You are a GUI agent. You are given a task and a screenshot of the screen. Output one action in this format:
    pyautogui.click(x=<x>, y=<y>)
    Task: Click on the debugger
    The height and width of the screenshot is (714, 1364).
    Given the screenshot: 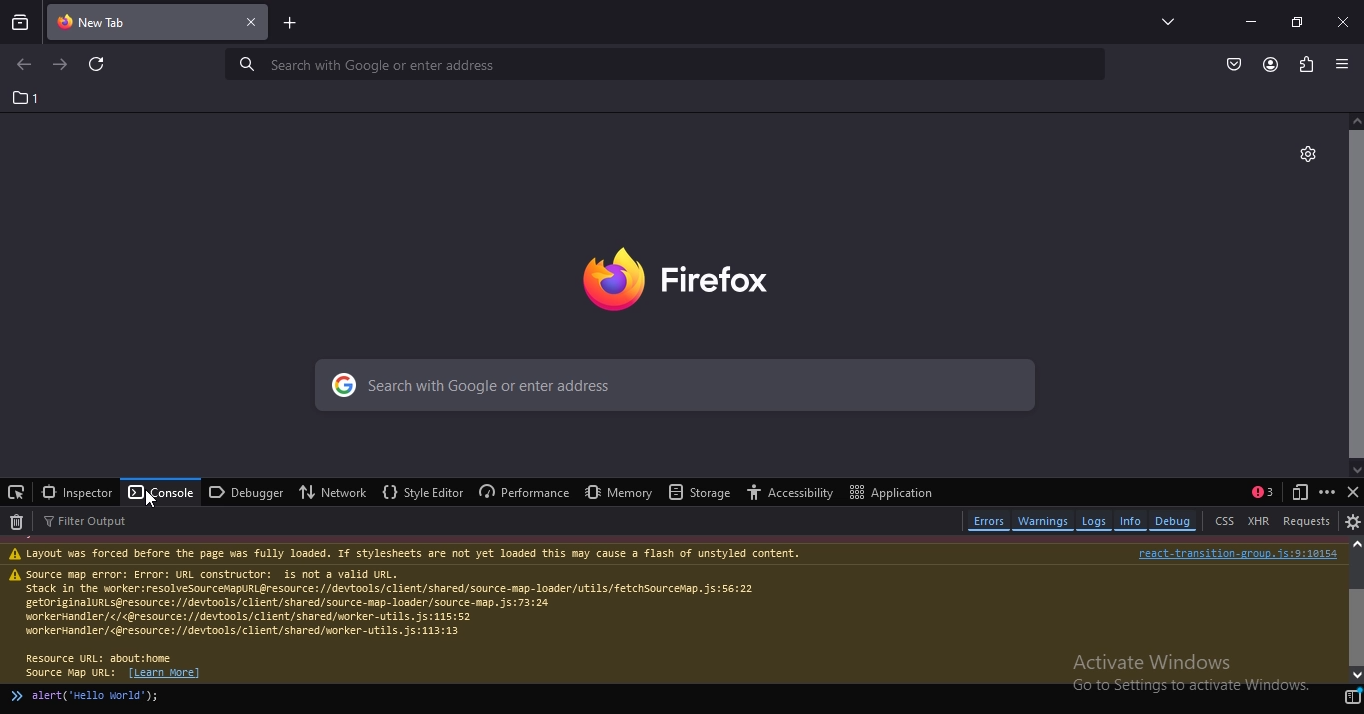 What is the action you would take?
    pyautogui.click(x=246, y=492)
    